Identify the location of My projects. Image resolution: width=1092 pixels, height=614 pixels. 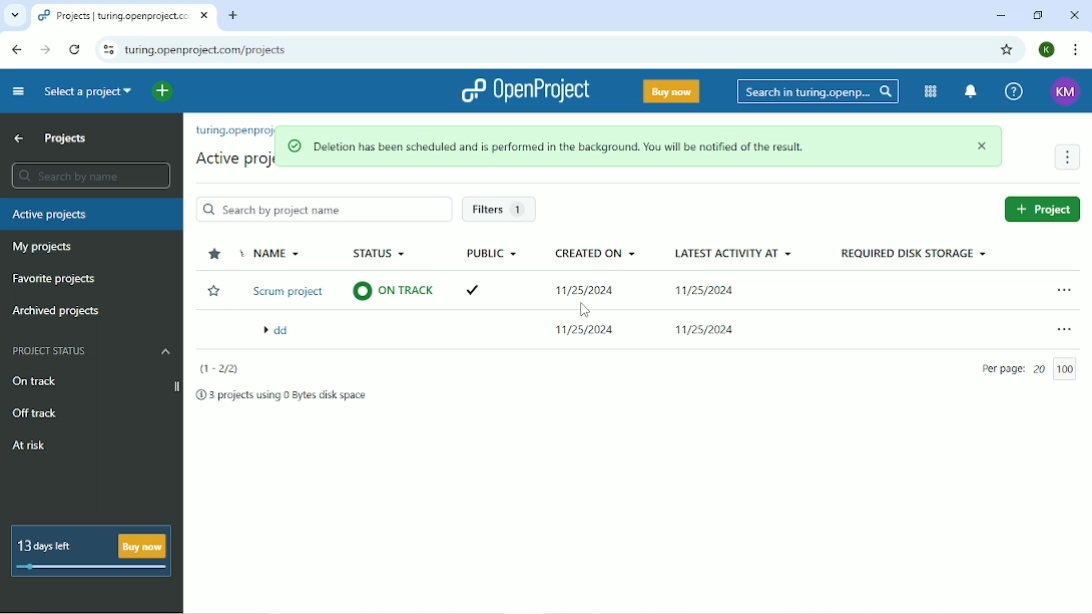
(44, 248).